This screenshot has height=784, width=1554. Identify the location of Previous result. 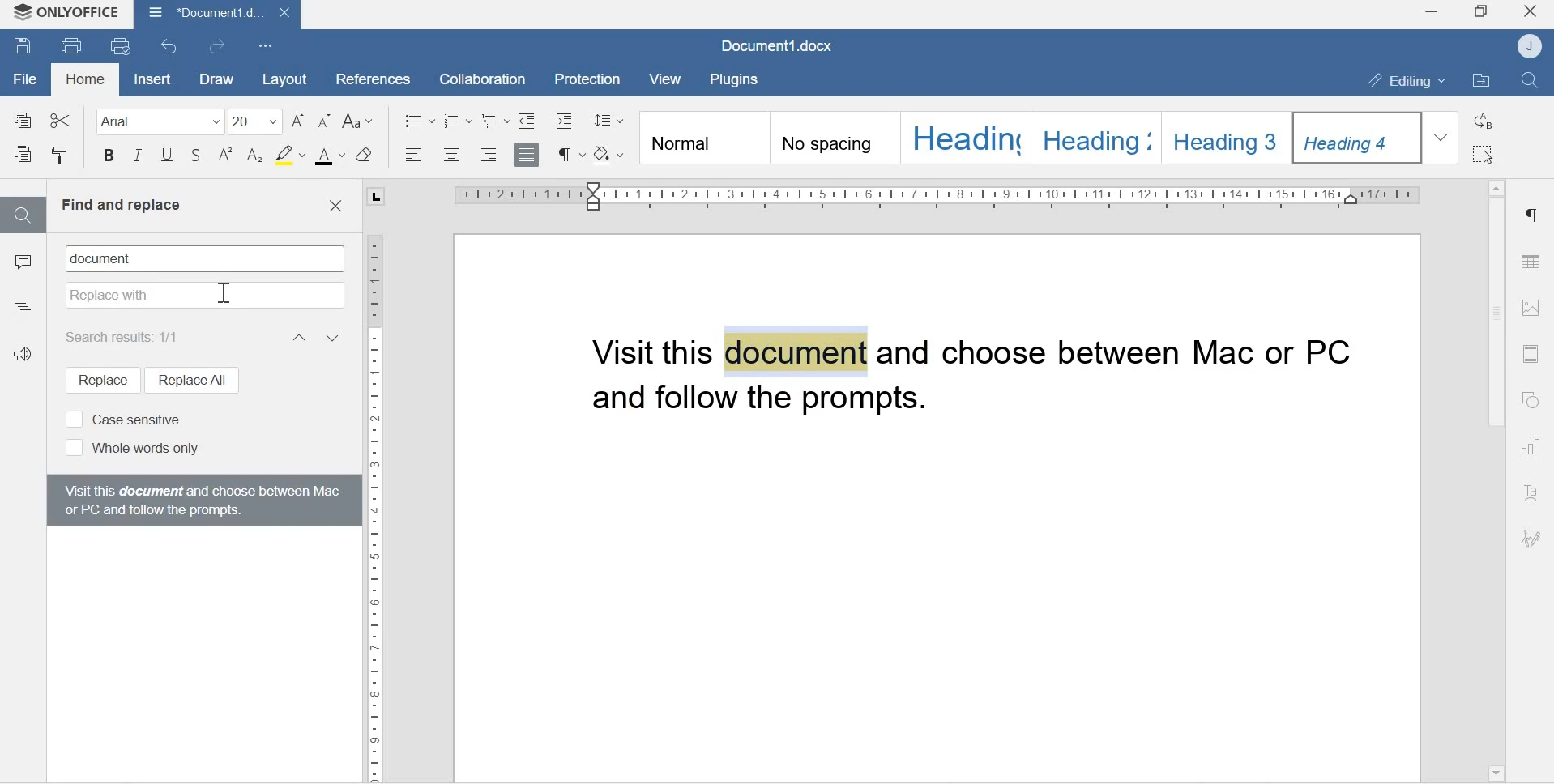
(297, 337).